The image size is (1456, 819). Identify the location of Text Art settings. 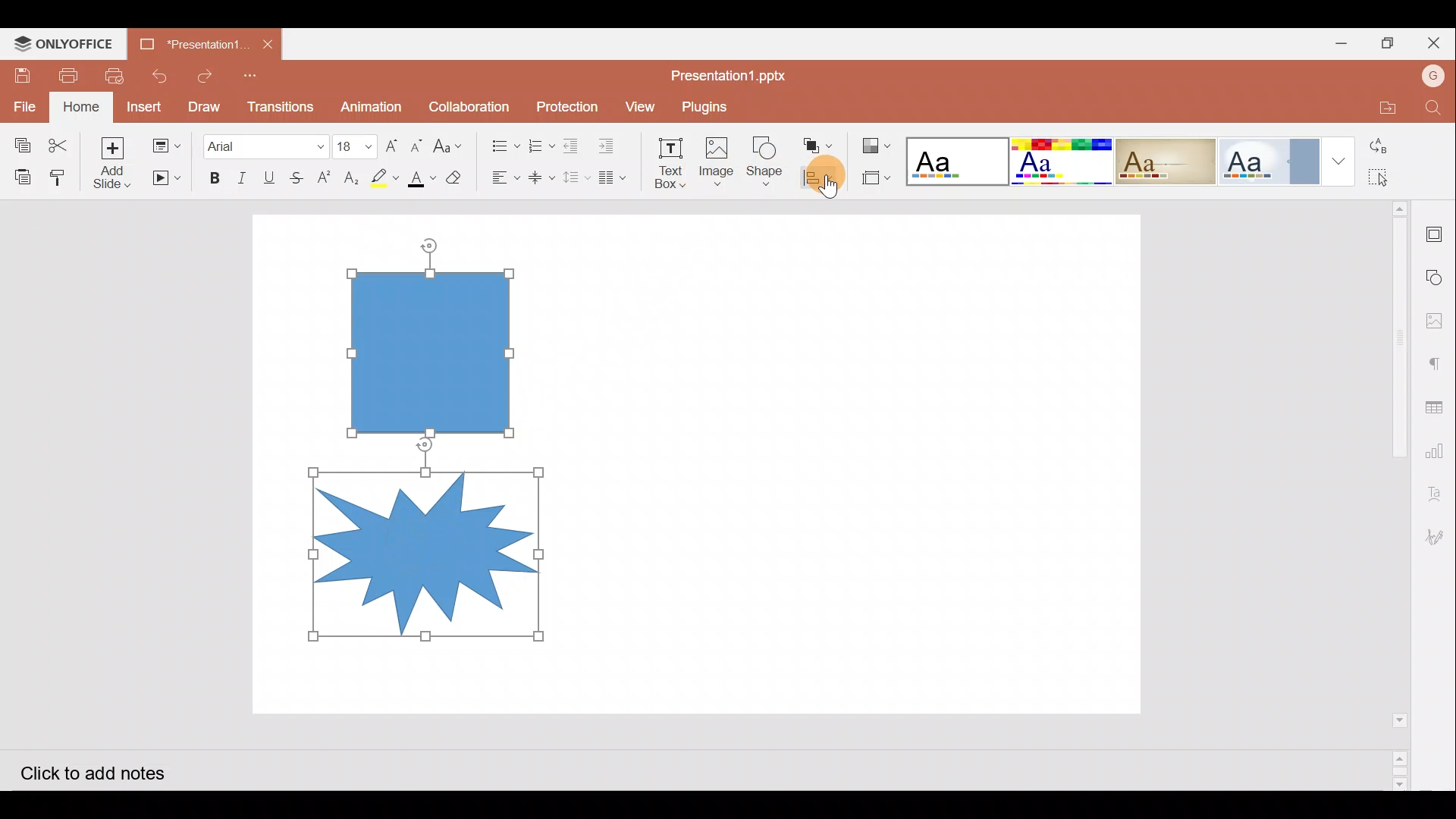
(1437, 497).